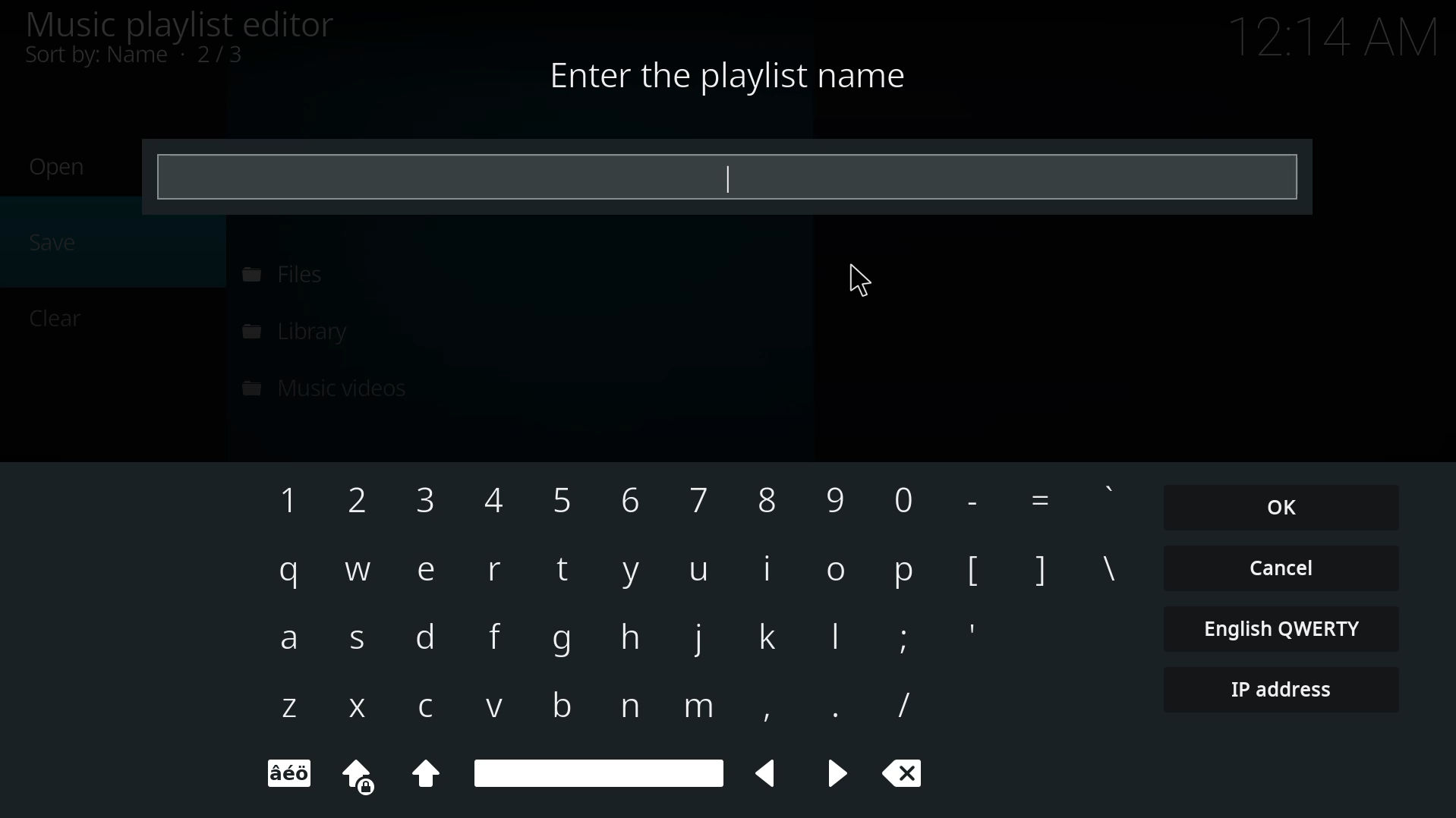  What do you see at coordinates (726, 76) in the screenshot?
I see `enter playlist name` at bounding box center [726, 76].